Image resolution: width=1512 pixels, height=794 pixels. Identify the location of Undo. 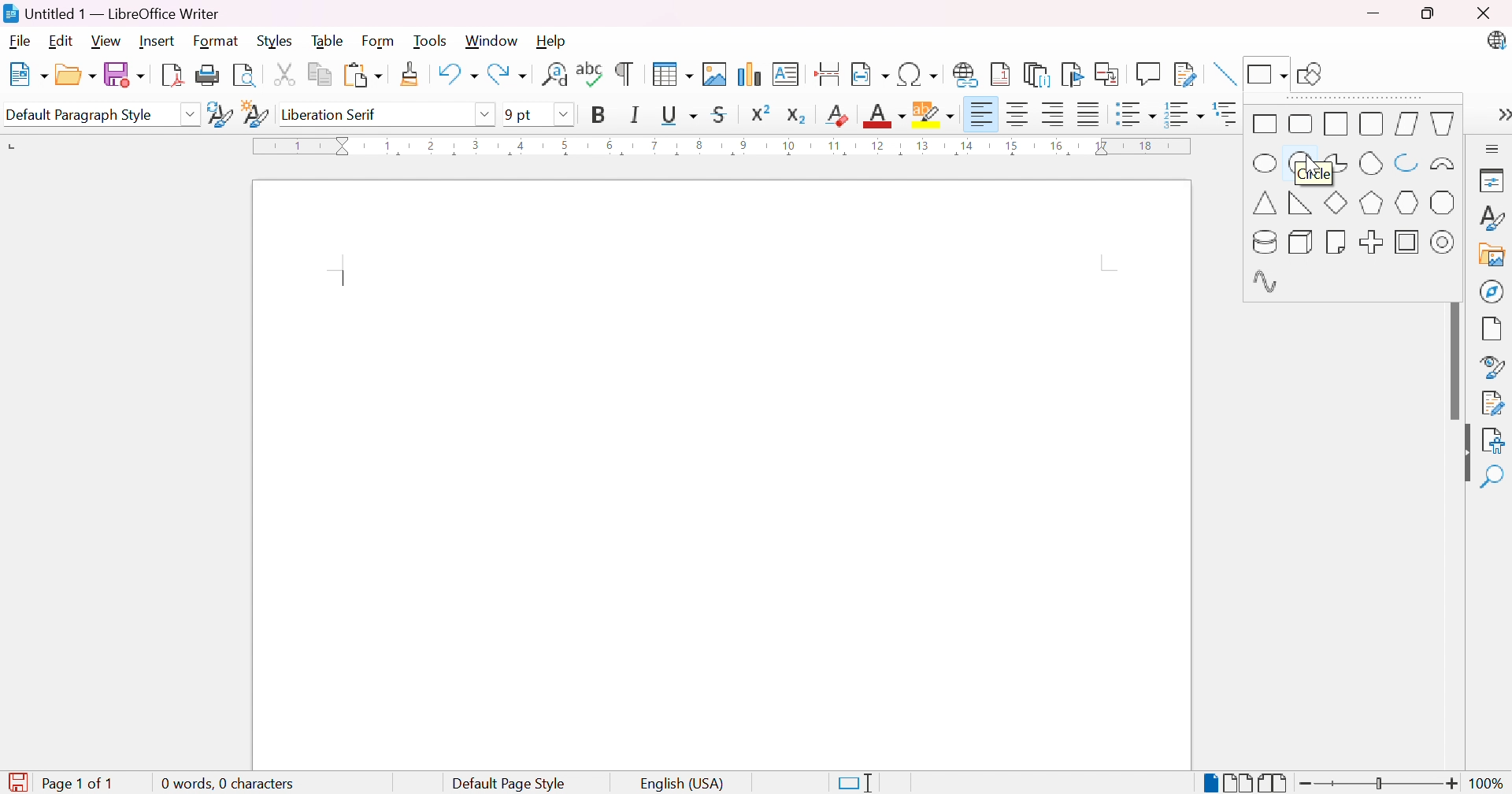
(456, 70).